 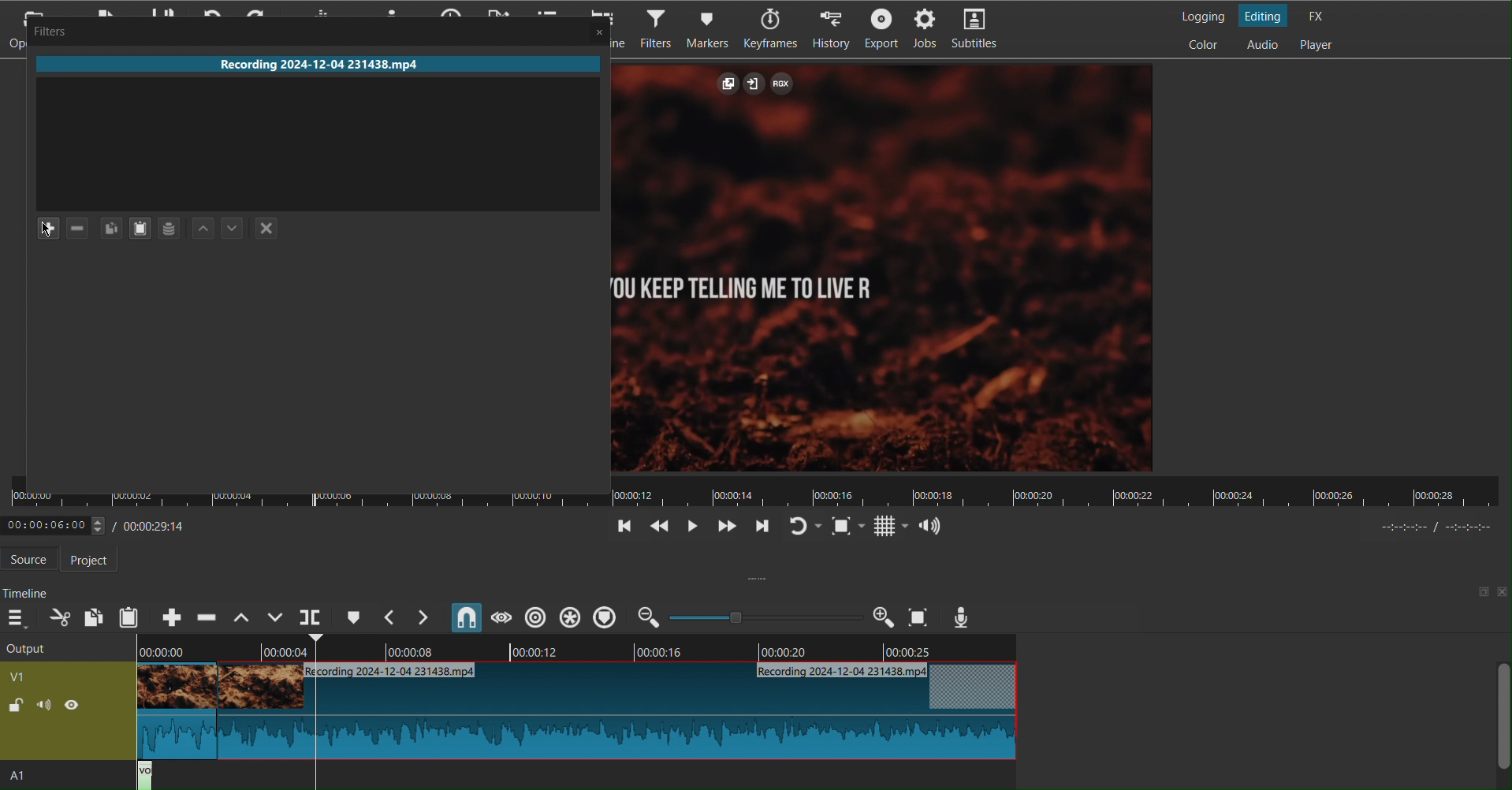 What do you see at coordinates (33, 559) in the screenshot?
I see `Source` at bounding box center [33, 559].